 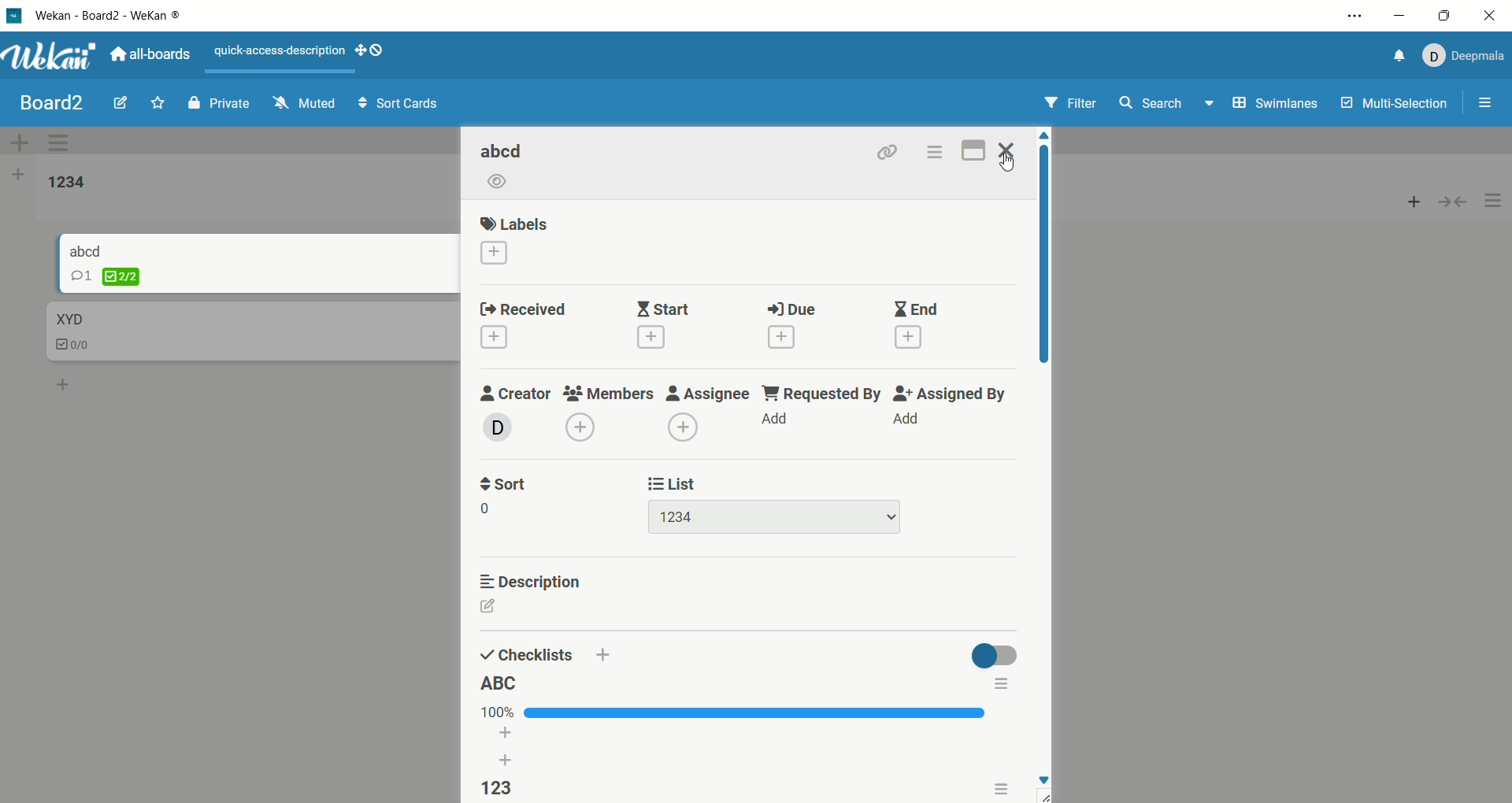 I want to click on list, so click(x=771, y=499).